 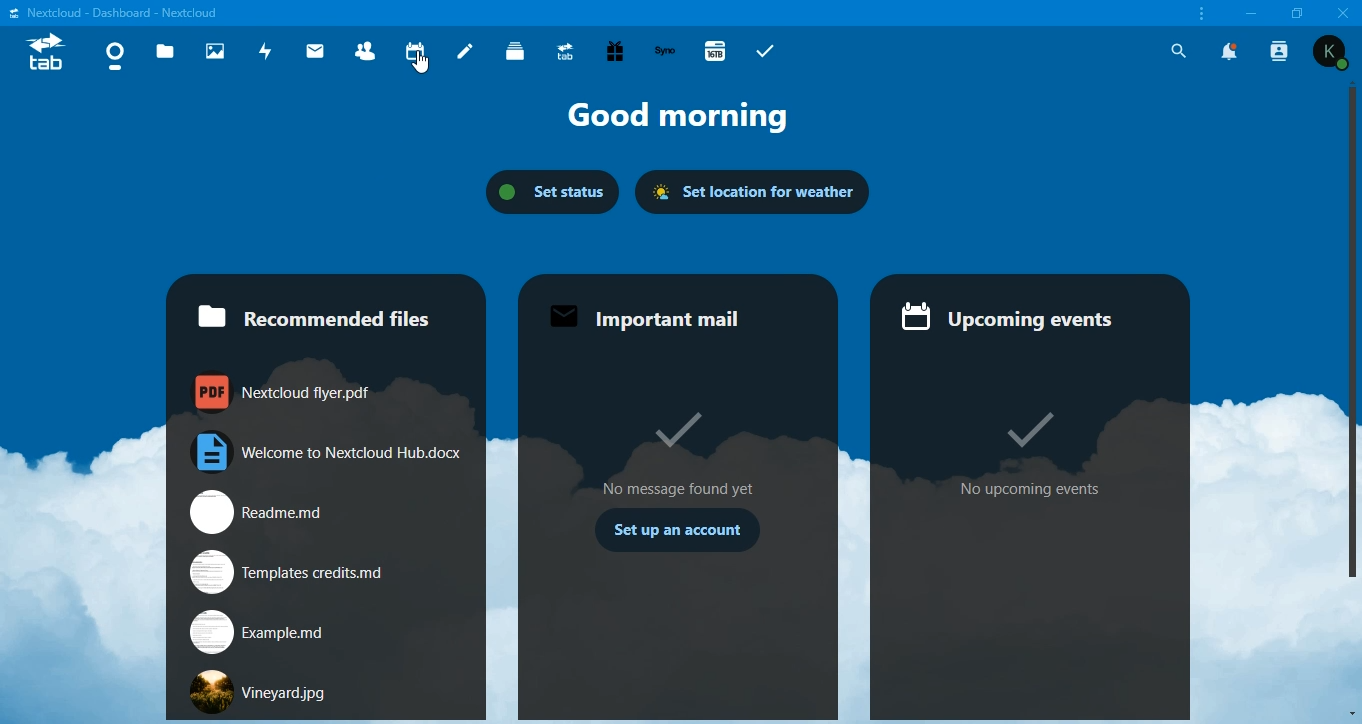 What do you see at coordinates (1015, 319) in the screenshot?
I see `= Upcoming events` at bounding box center [1015, 319].